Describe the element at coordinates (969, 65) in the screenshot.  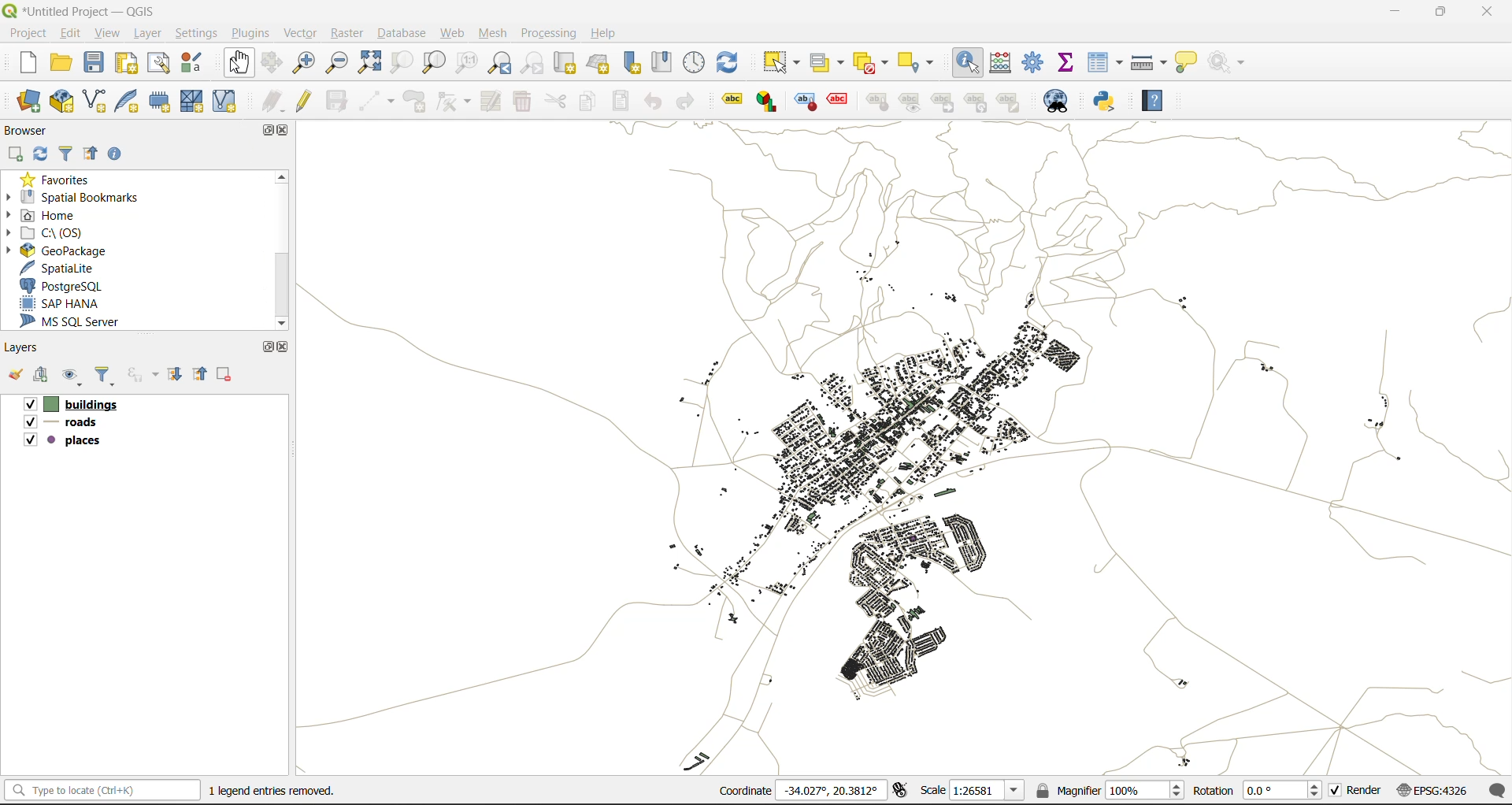
I see `identify features` at that location.